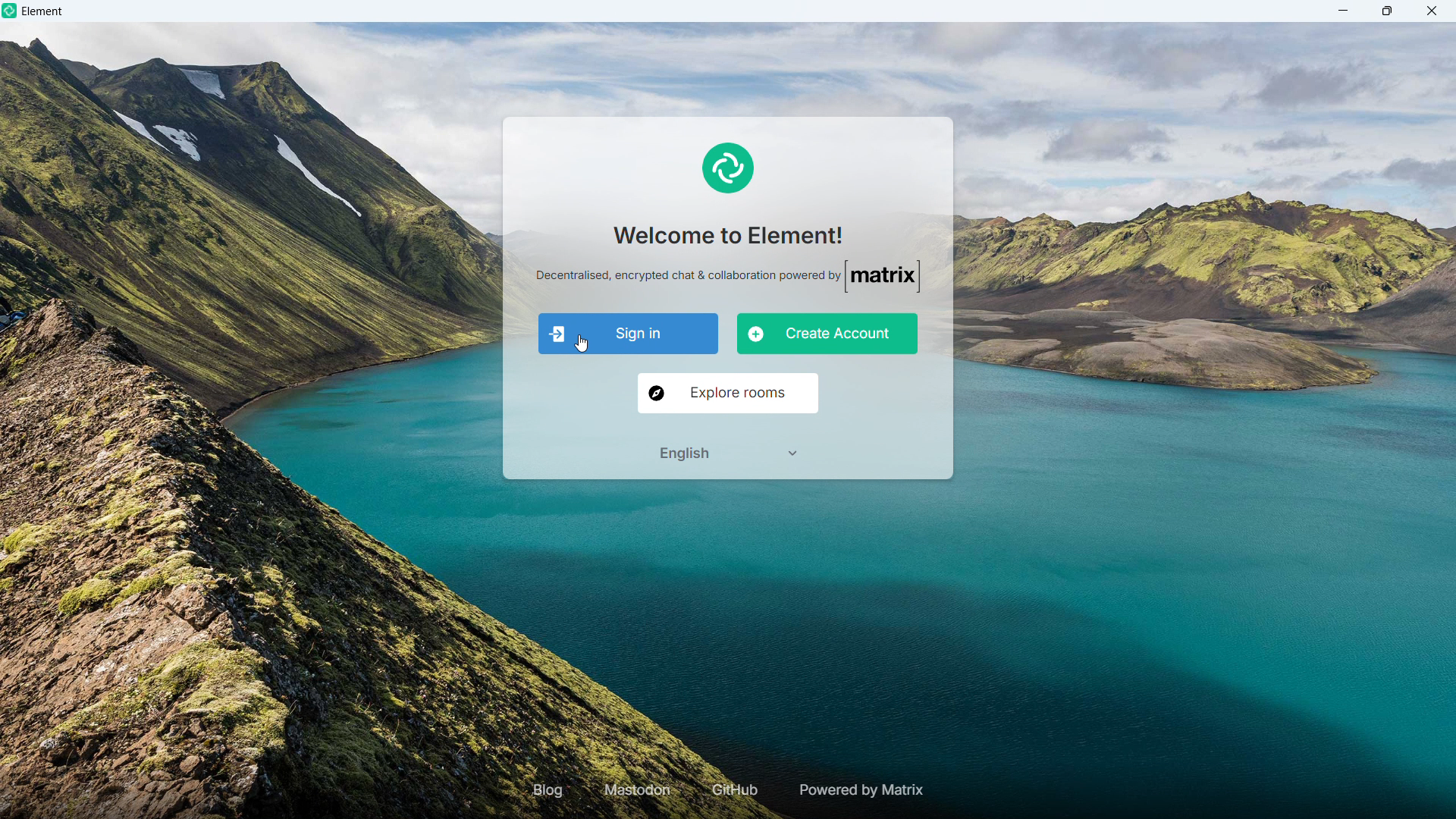 This screenshot has width=1456, height=819. Describe the element at coordinates (729, 165) in the screenshot. I see `element logo` at that location.